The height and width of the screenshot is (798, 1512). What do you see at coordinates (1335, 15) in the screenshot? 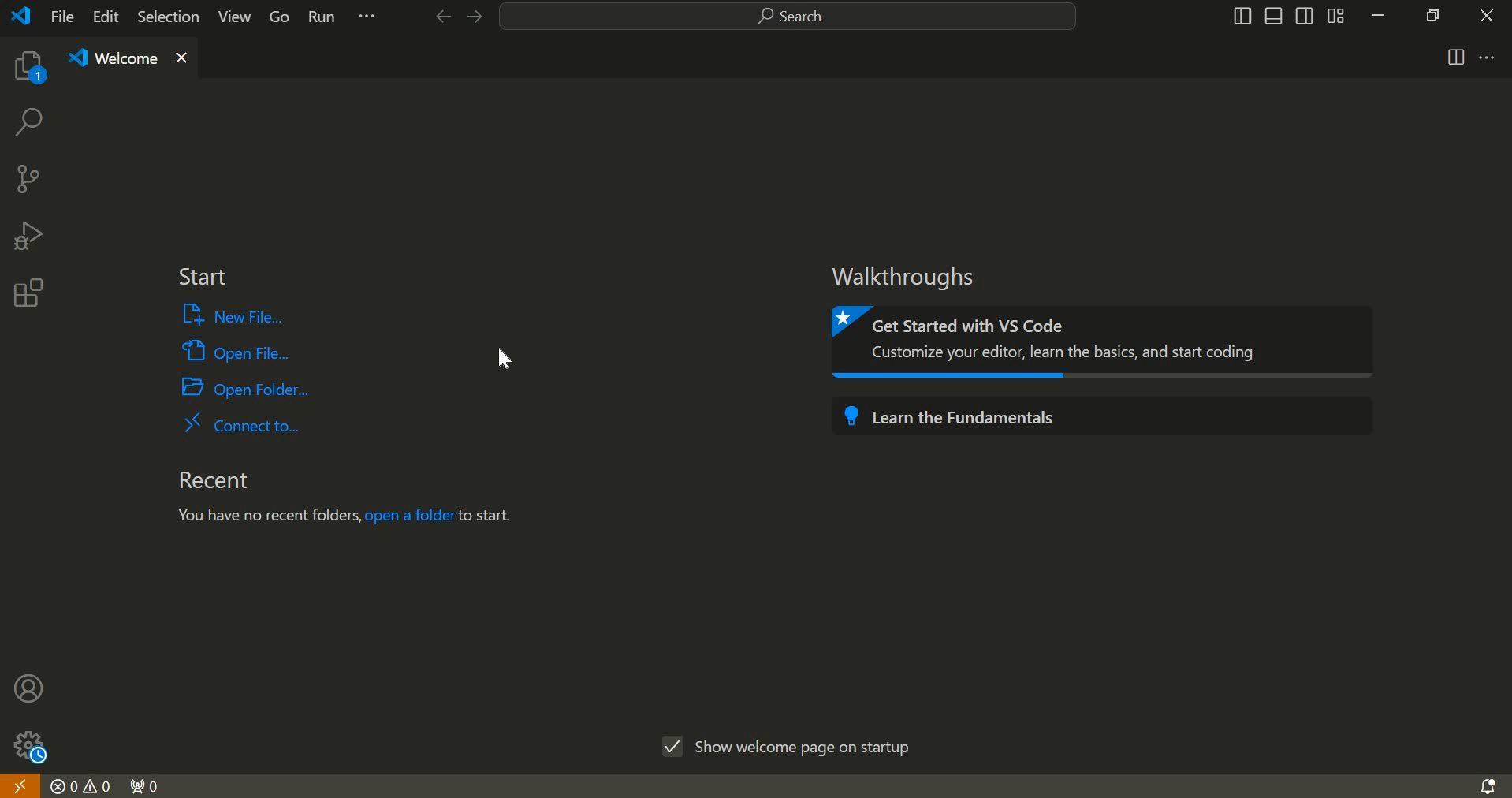
I see `customize layout` at bounding box center [1335, 15].